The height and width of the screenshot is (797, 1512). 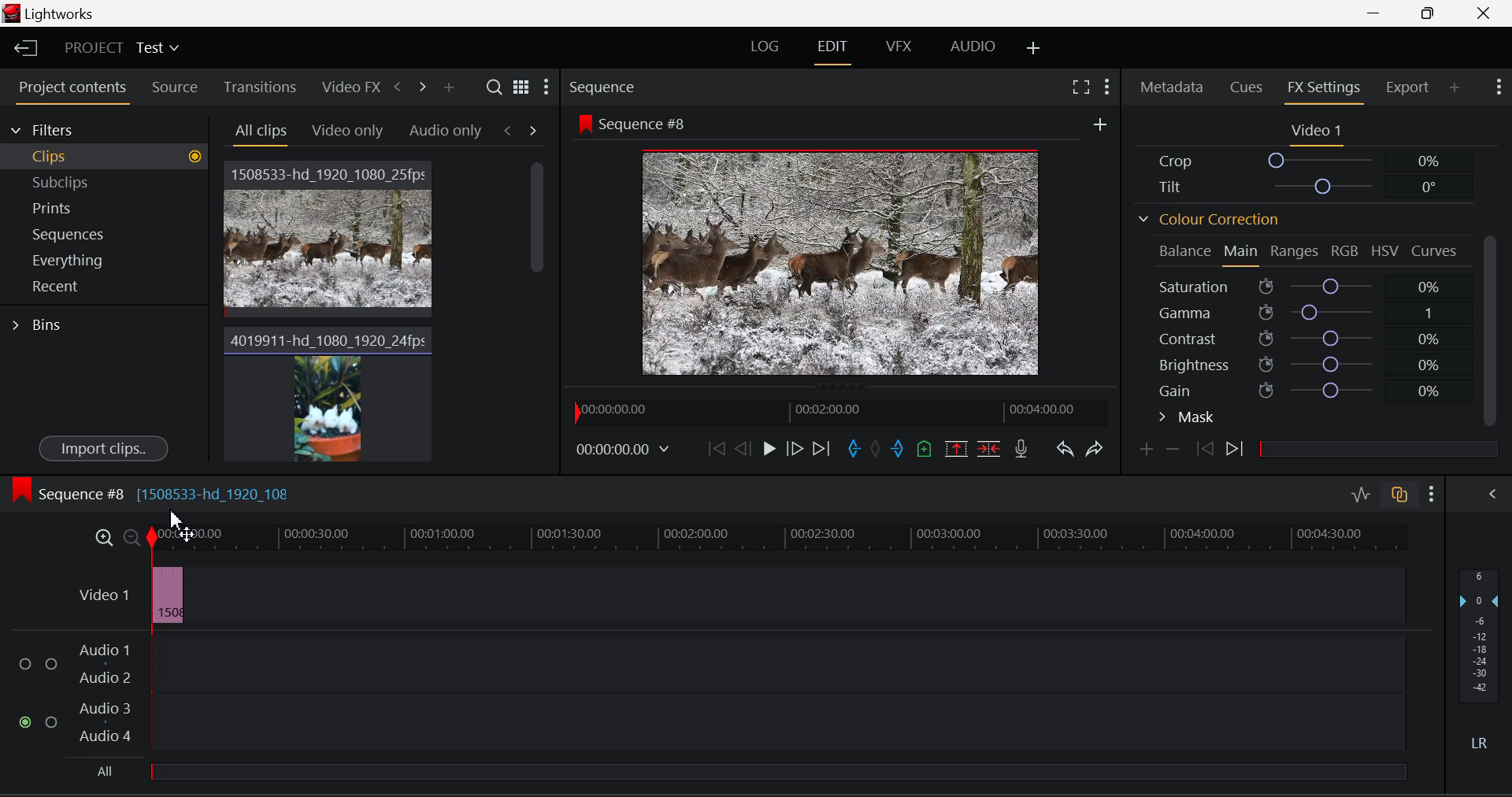 What do you see at coordinates (776, 662) in the screenshot?
I see `Audio Input Field` at bounding box center [776, 662].